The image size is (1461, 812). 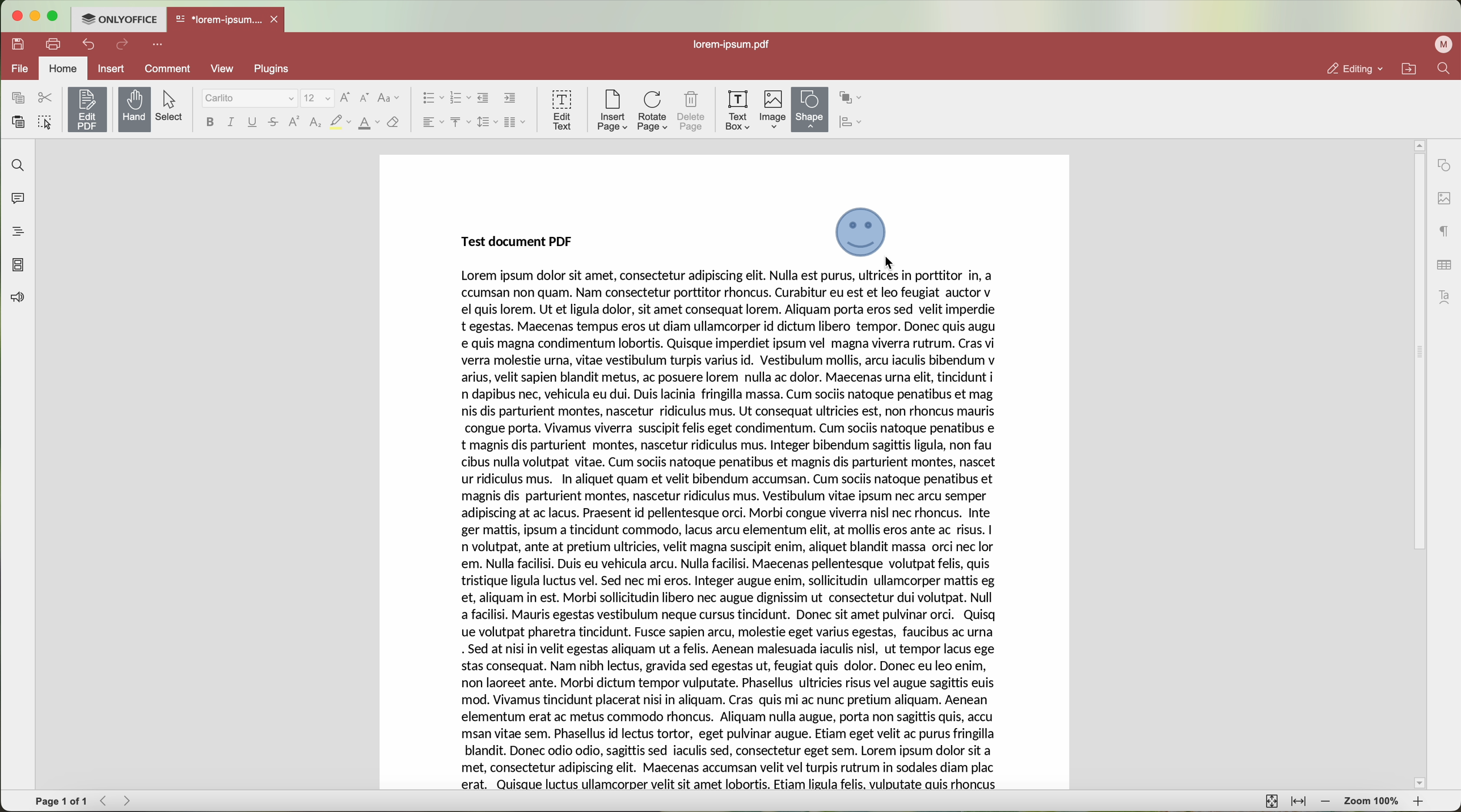 I want to click on comment, so click(x=166, y=69).